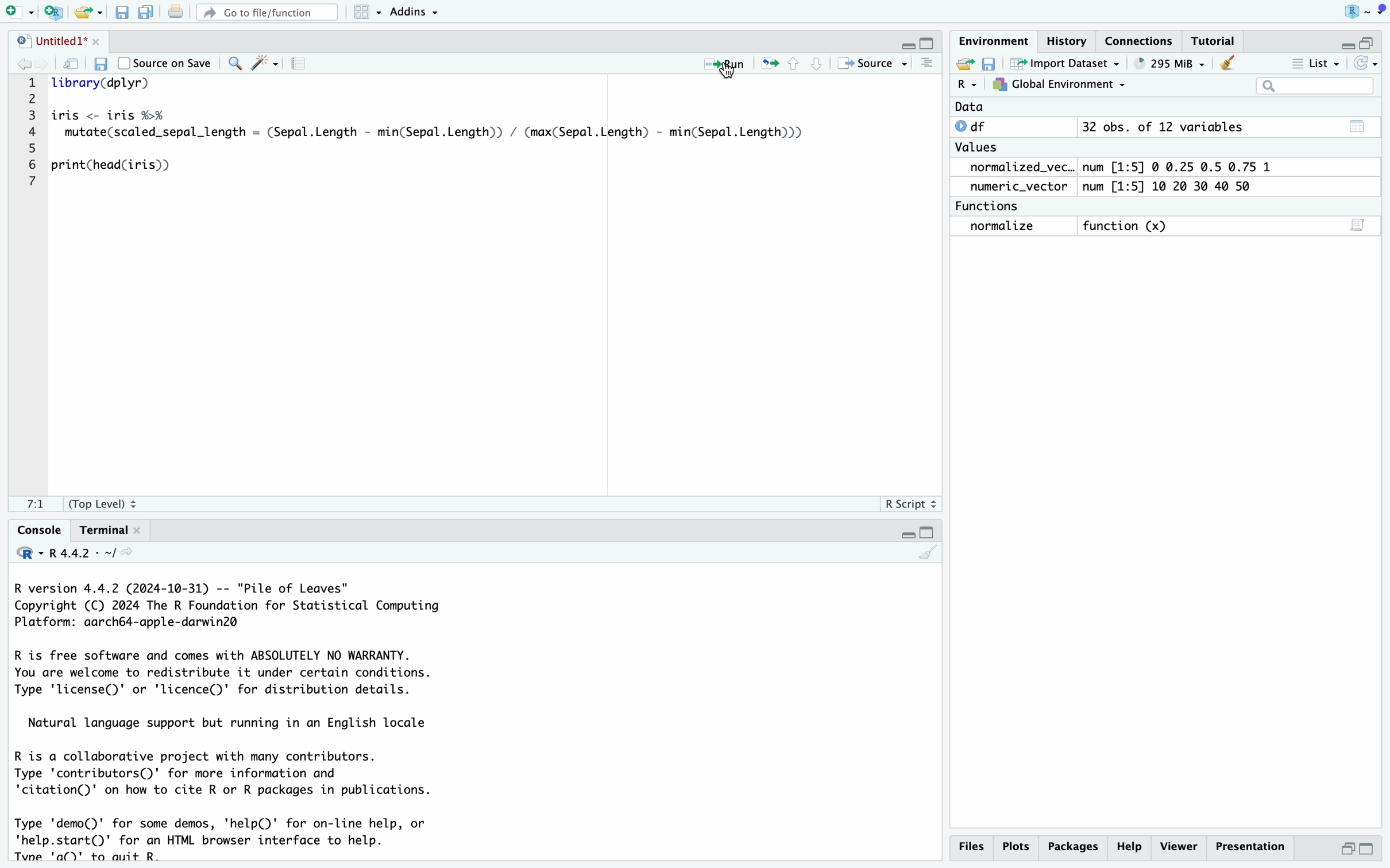 The image size is (1390, 868). Describe the element at coordinates (1004, 227) in the screenshot. I see `Normalize` at that location.